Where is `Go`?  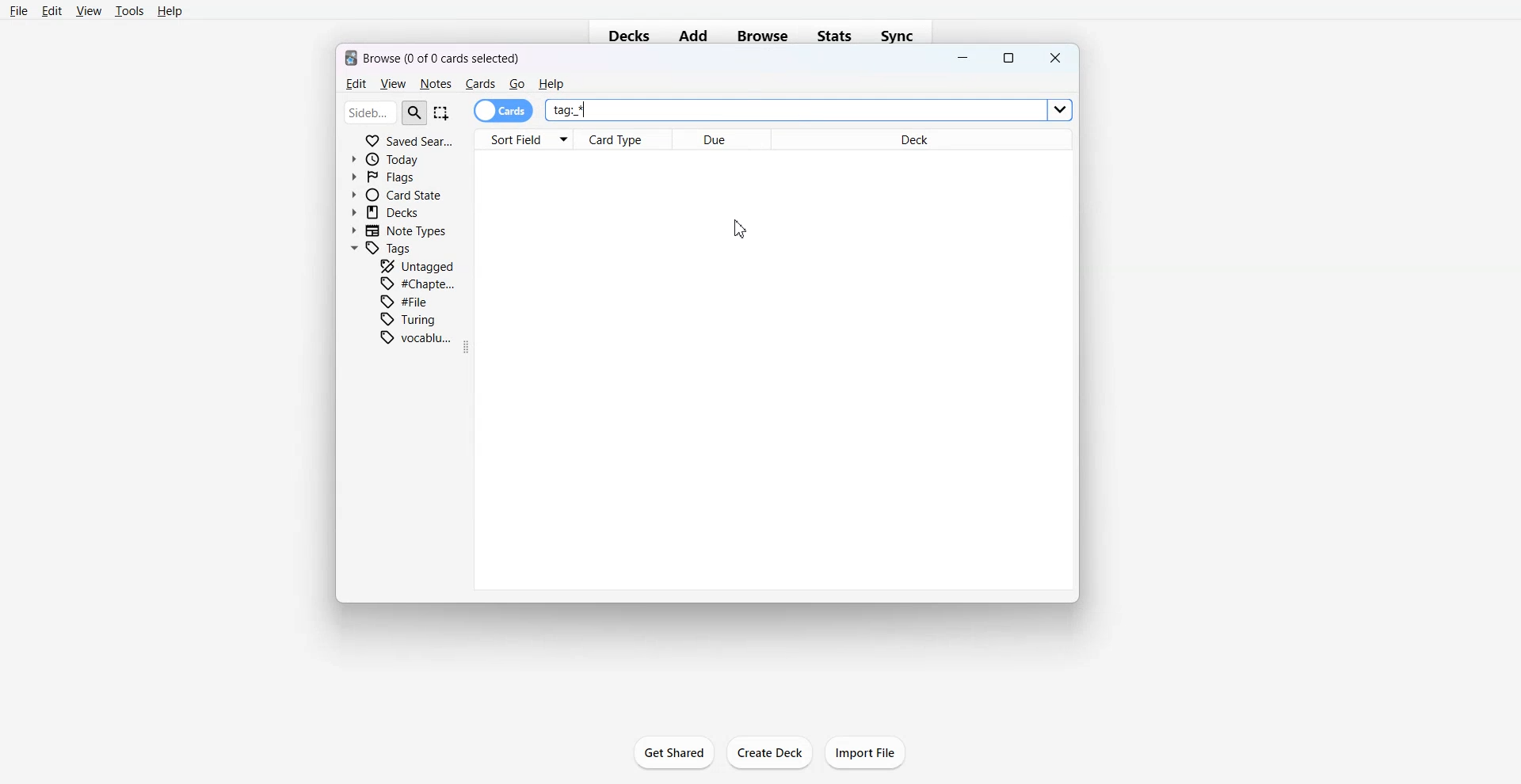 Go is located at coordinates (517, 84).